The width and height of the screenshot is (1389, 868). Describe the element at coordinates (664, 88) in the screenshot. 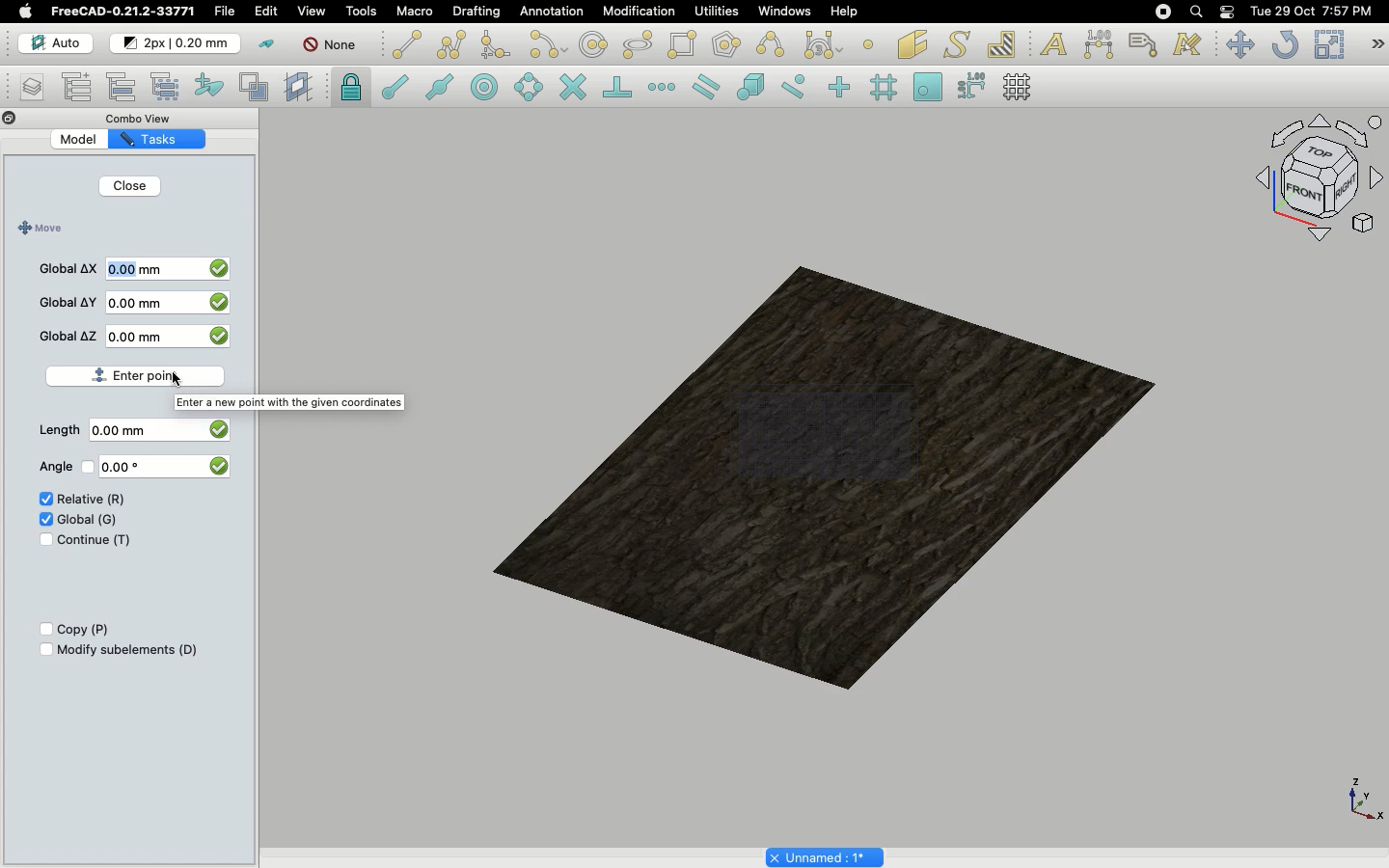

I see `Snap extension` at that location.